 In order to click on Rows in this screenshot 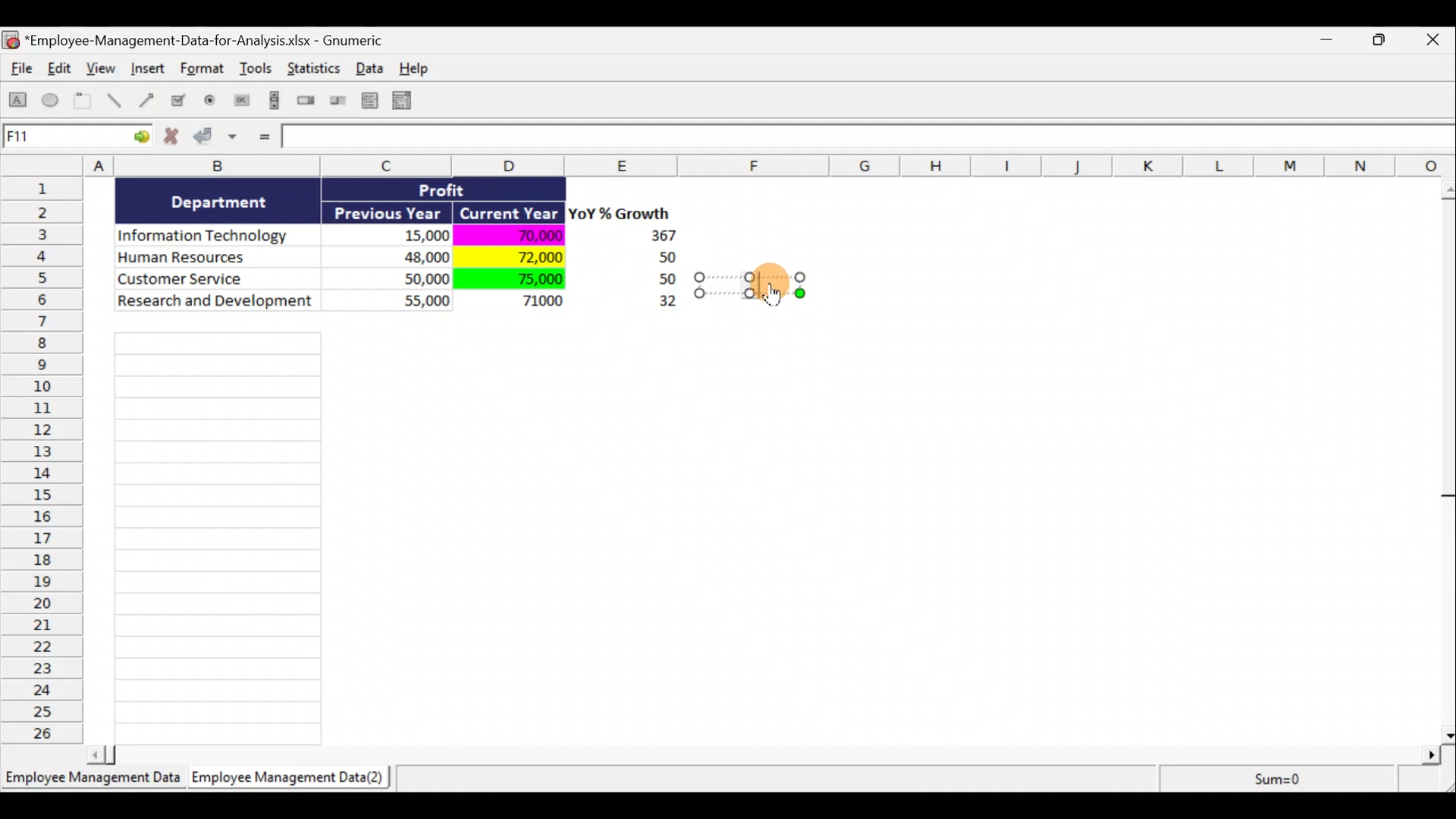, I will do `click(46, 459)`.